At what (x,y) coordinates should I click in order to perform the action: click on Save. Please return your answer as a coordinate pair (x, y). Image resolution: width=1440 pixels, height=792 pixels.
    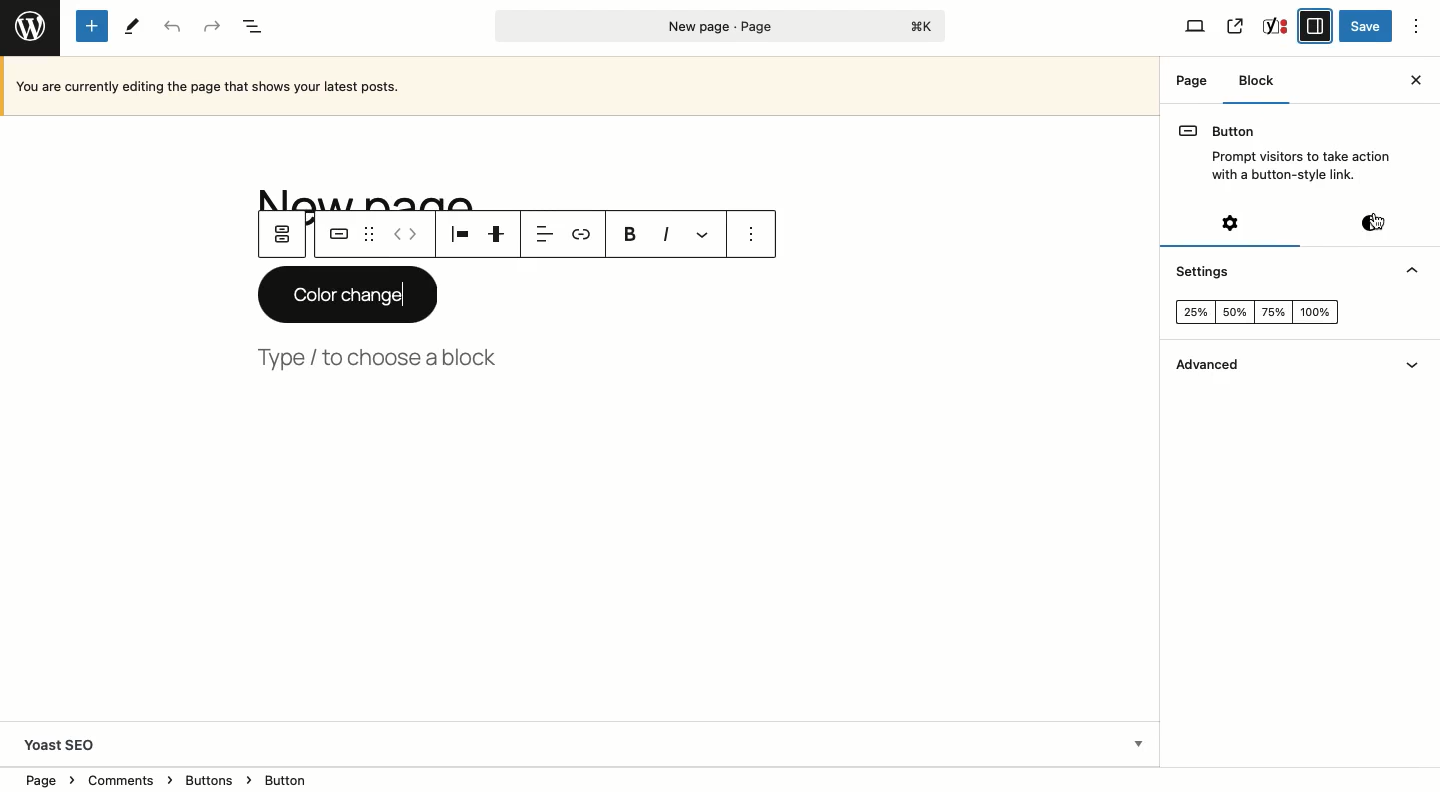
    Looking at the image, I should click on (1367, 27).